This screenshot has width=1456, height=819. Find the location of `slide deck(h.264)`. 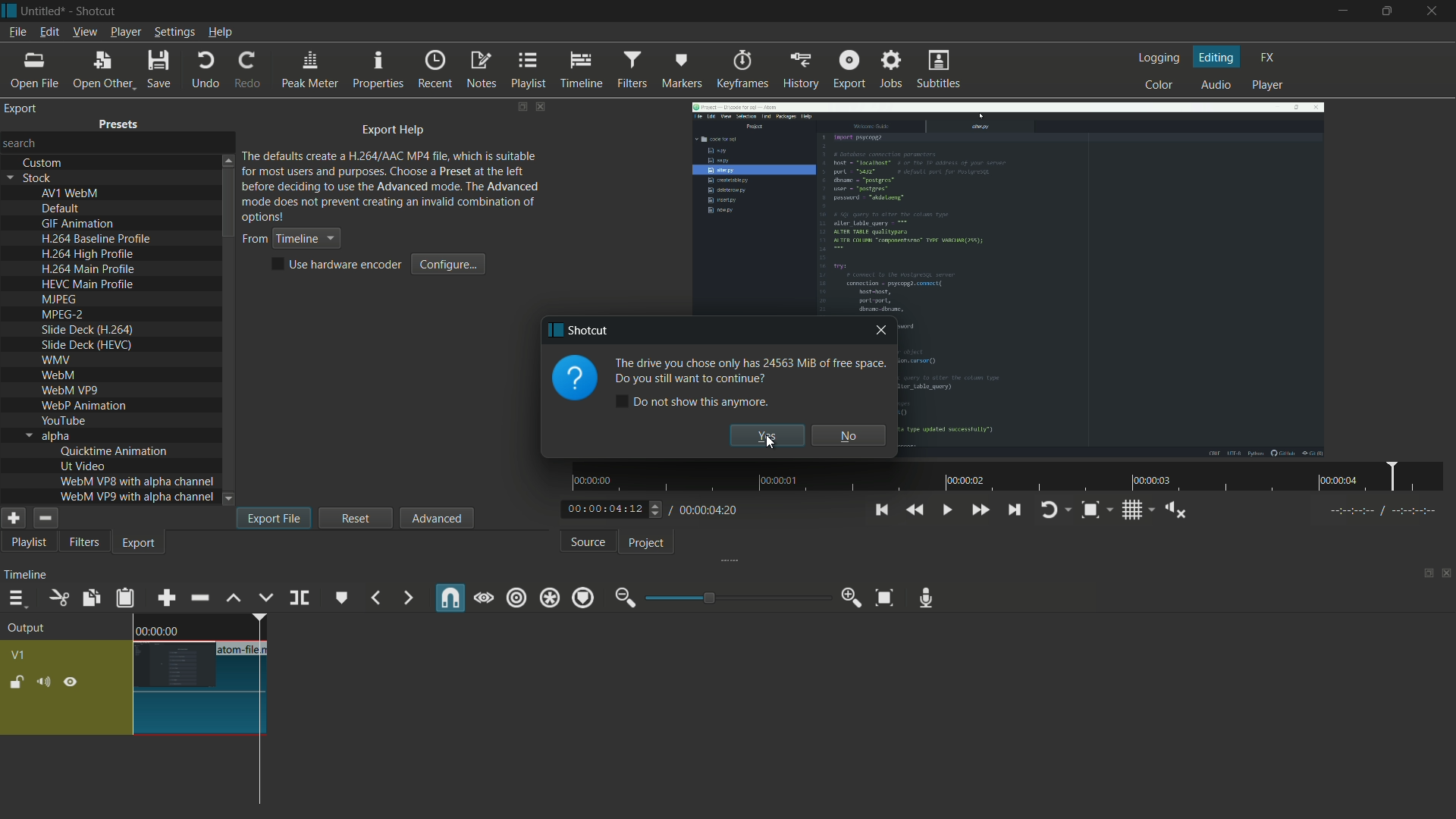

slide deck(h.264) is located at coordinates (88, 330).